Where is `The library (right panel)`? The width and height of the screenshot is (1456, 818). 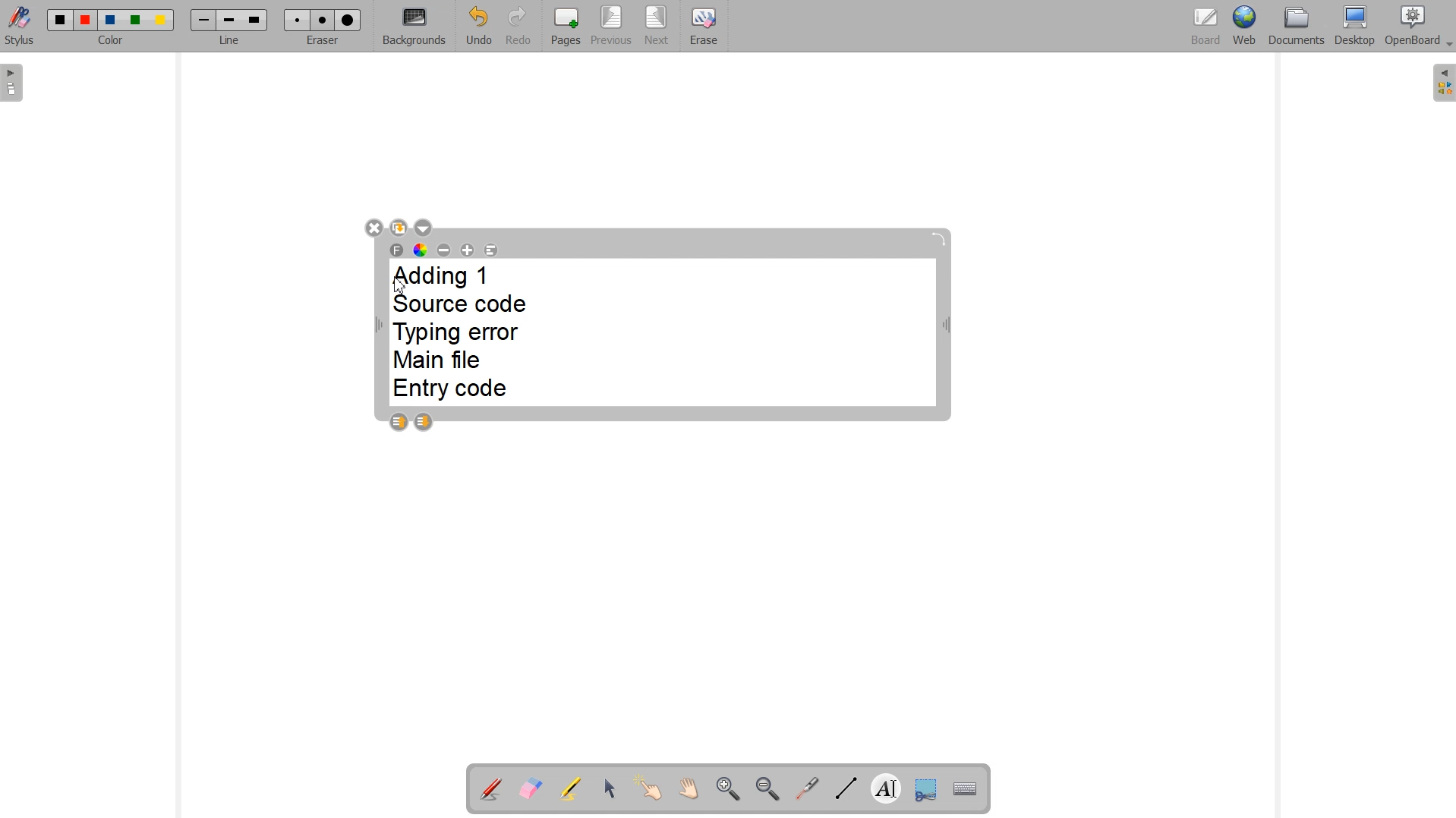
The library (right panel) is located at coordinates (1442, 83).